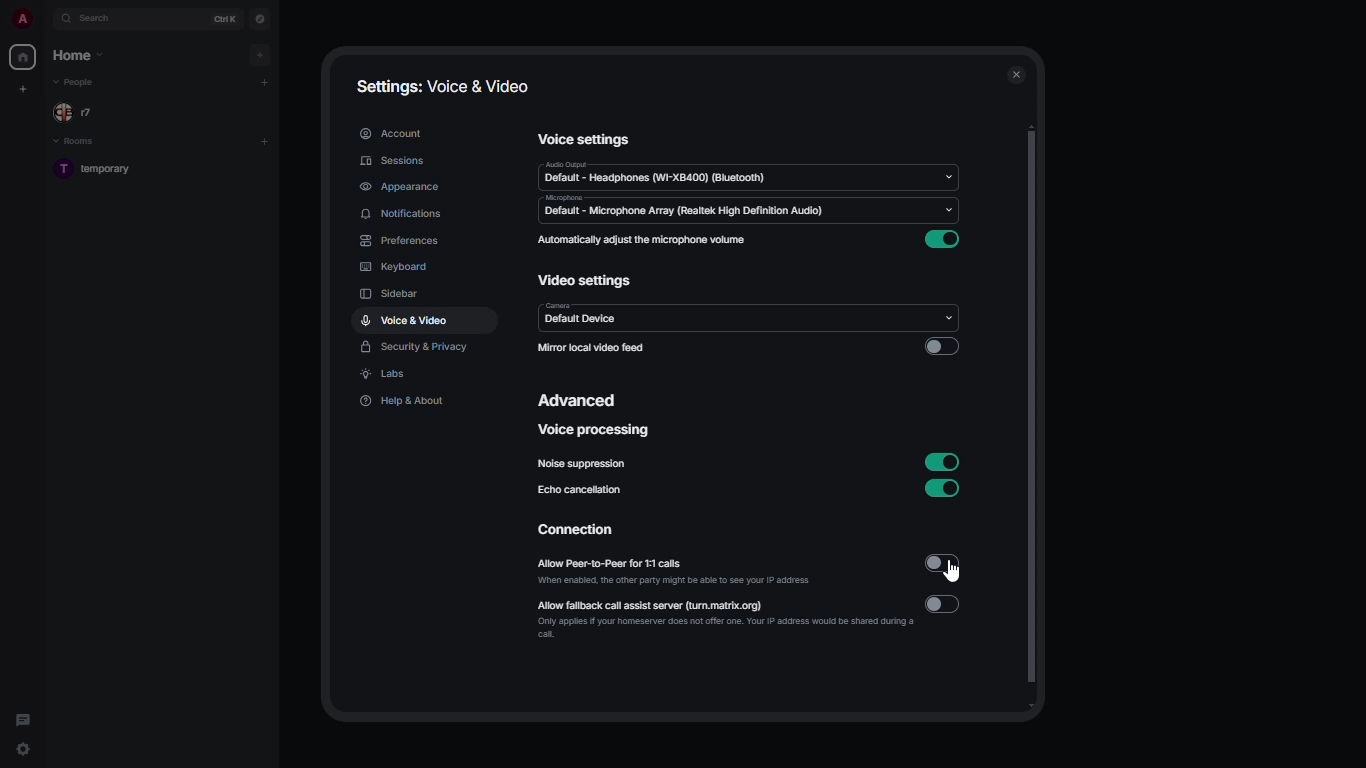  I want to click on advanced, so click(581, 399).